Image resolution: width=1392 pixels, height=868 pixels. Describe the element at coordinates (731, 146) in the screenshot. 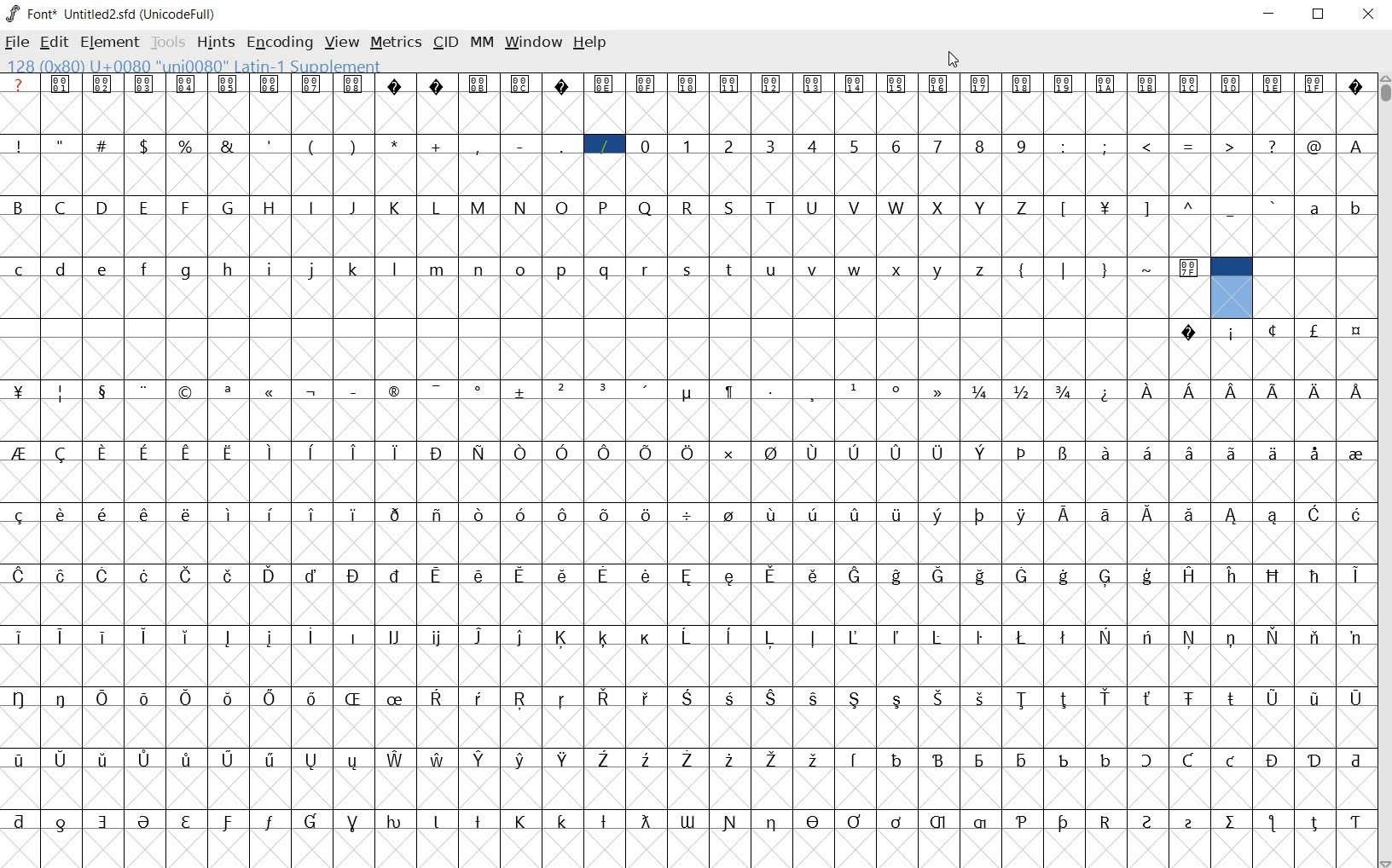

I see `2` at that location.